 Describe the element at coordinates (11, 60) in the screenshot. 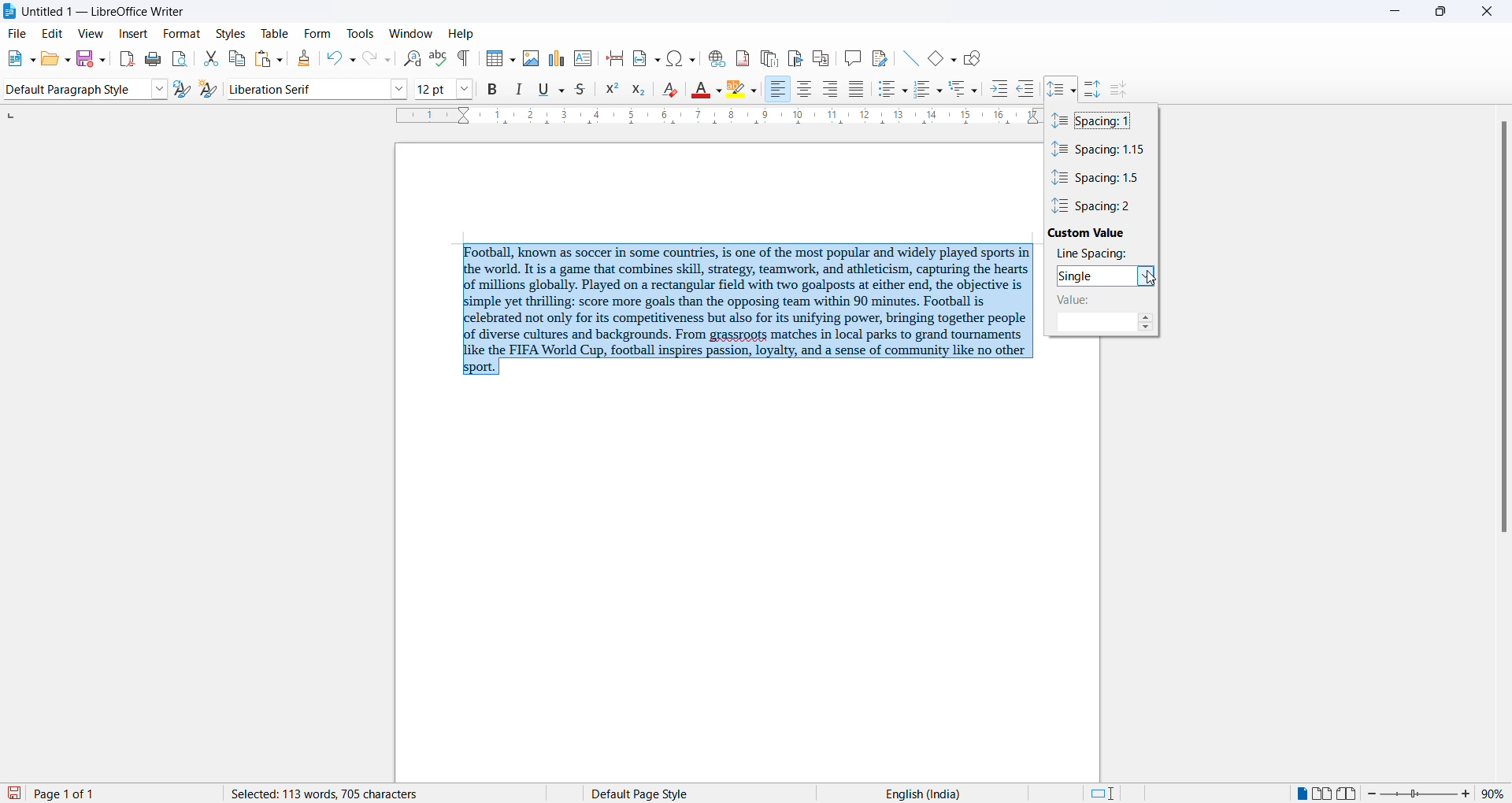

I see `new file` at that location.